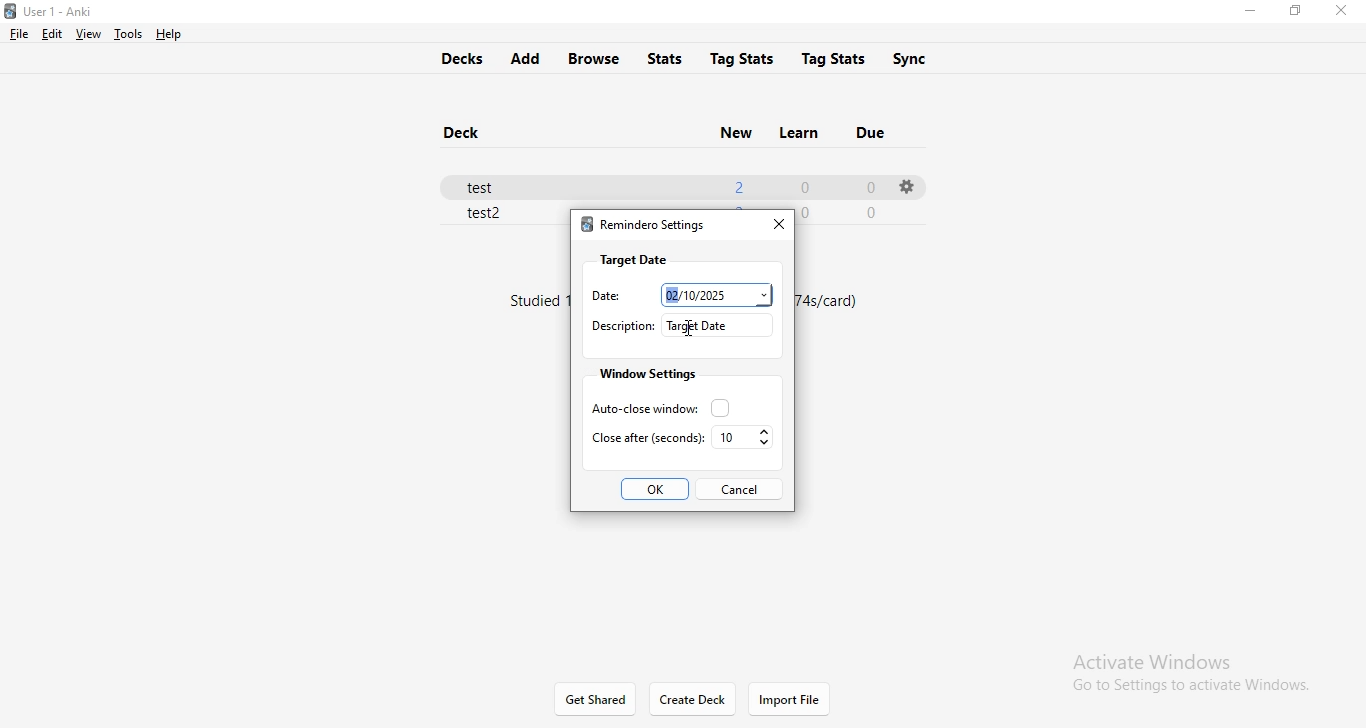  What do you see at coordinates (166, 34) in the screenshot?
I see `help` at bounding box center [166, 34].